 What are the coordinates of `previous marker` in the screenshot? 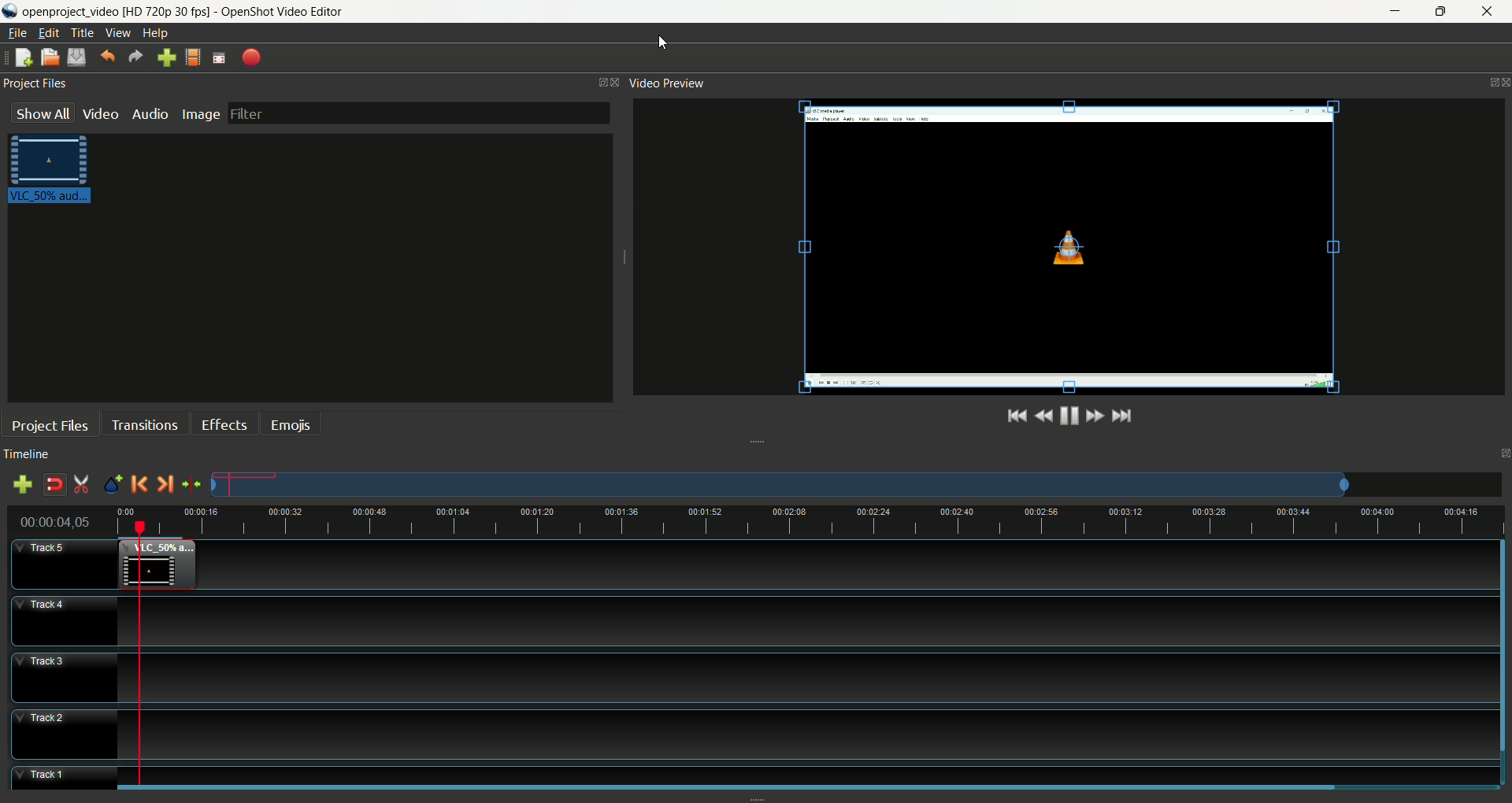 It's located at (139, 484).